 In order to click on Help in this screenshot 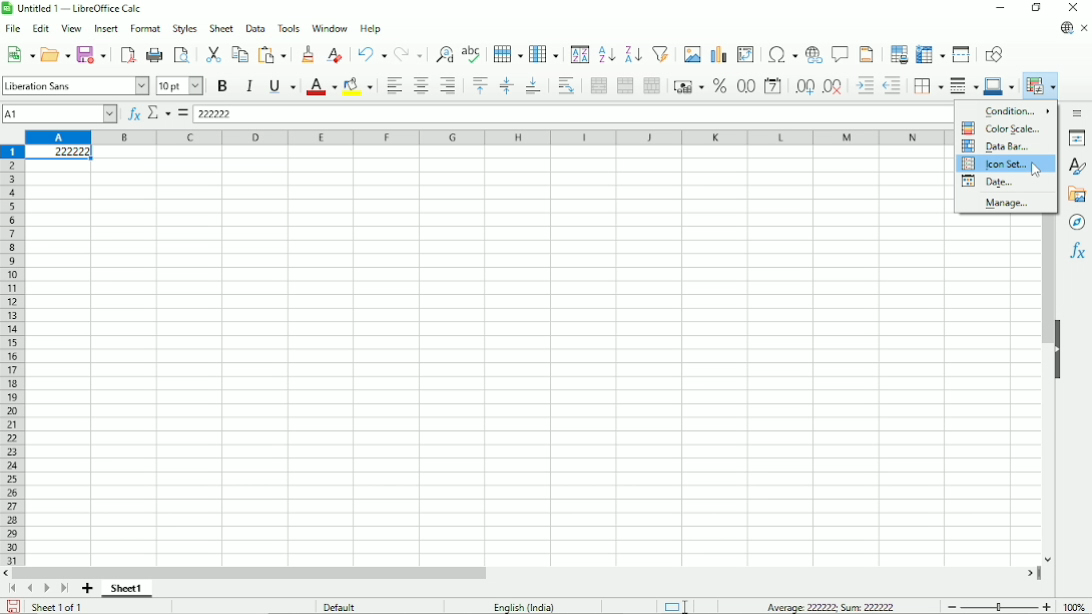, I will do `click(371, 29)`.